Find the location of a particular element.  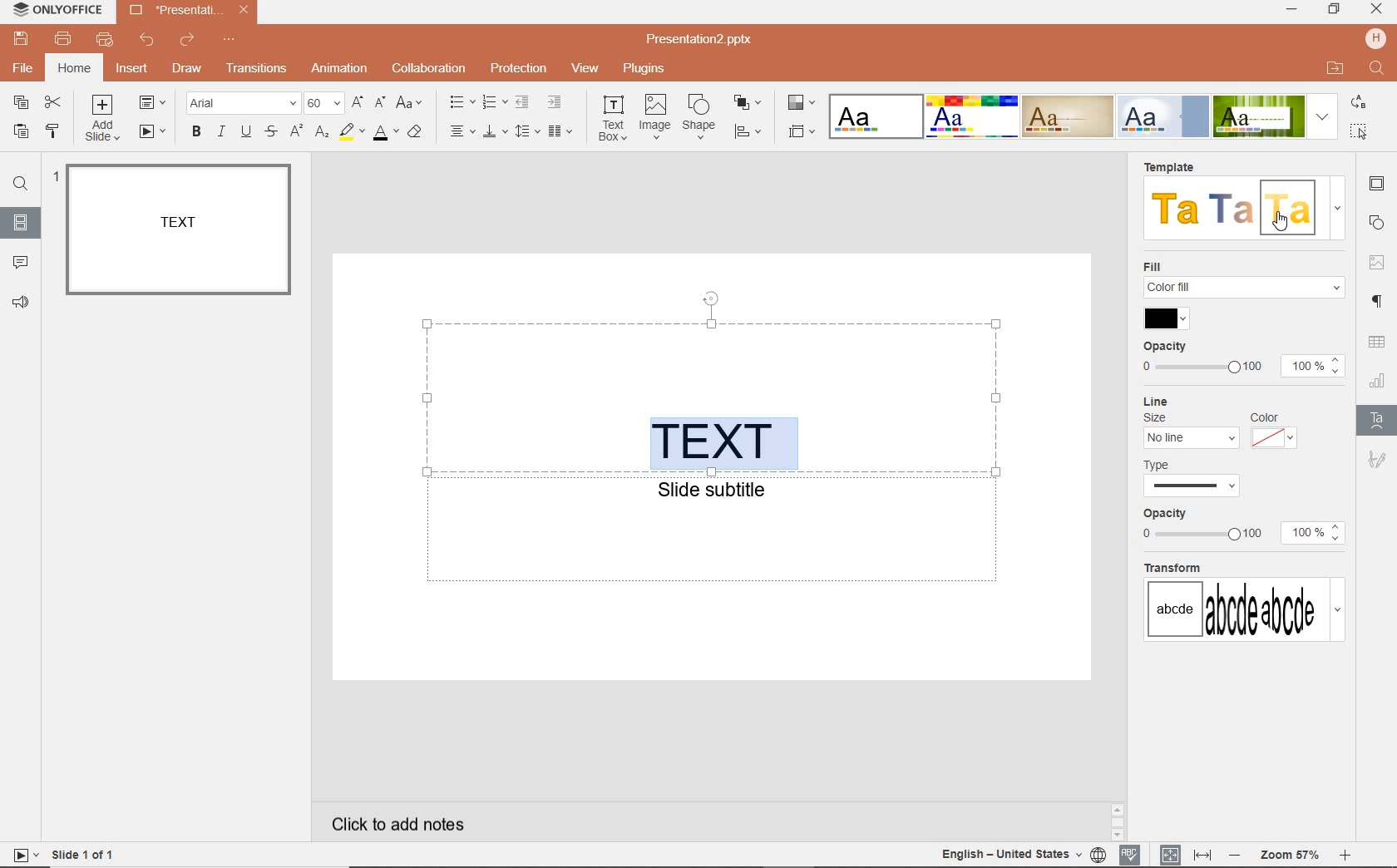

fill color is located at coordinates (1163, 319).